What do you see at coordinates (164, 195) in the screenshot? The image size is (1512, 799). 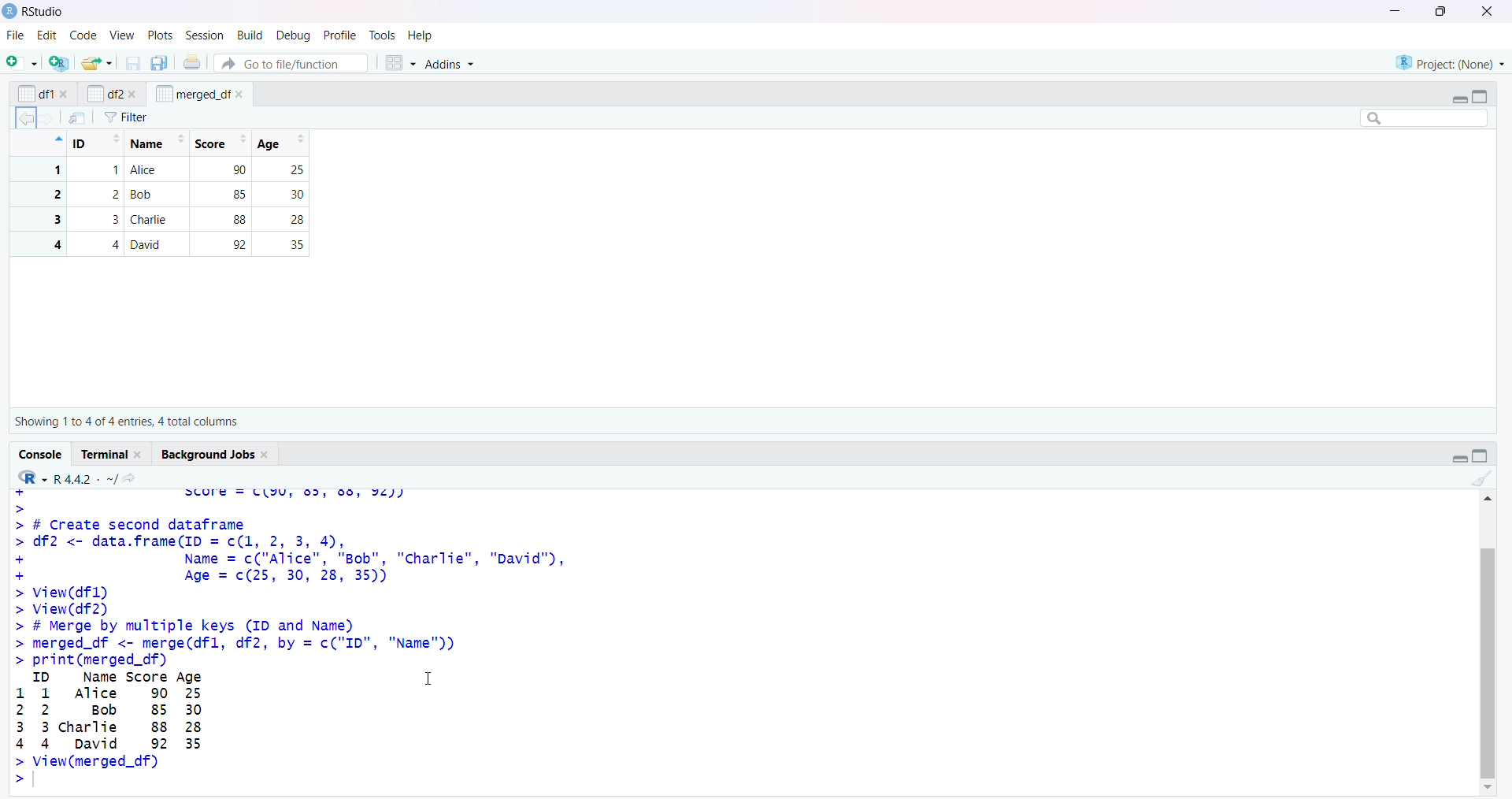 I see `2 2 Bob 85 30` at bounding box center [164, 195].